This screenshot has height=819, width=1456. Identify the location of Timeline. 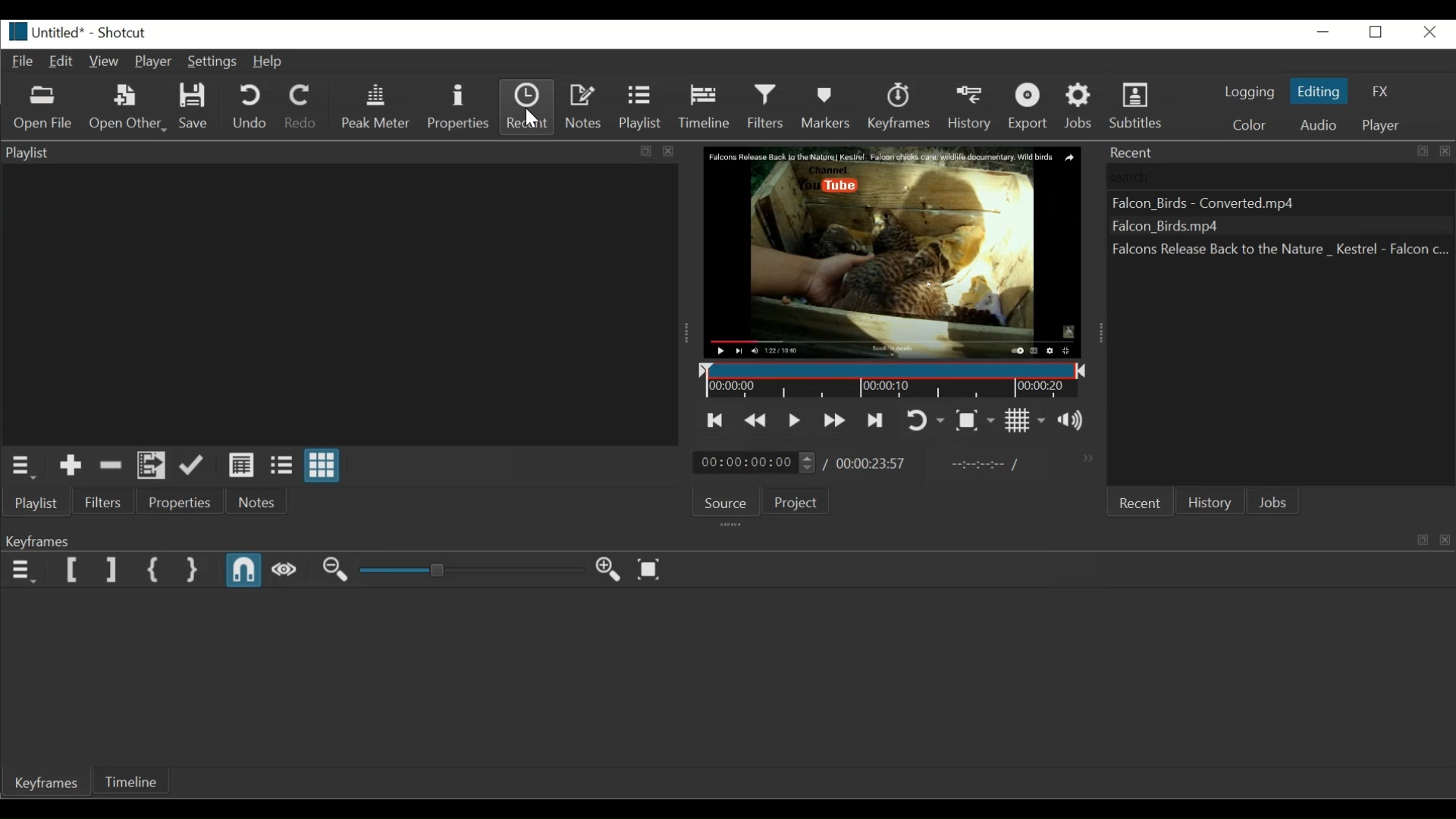
(704, 108).